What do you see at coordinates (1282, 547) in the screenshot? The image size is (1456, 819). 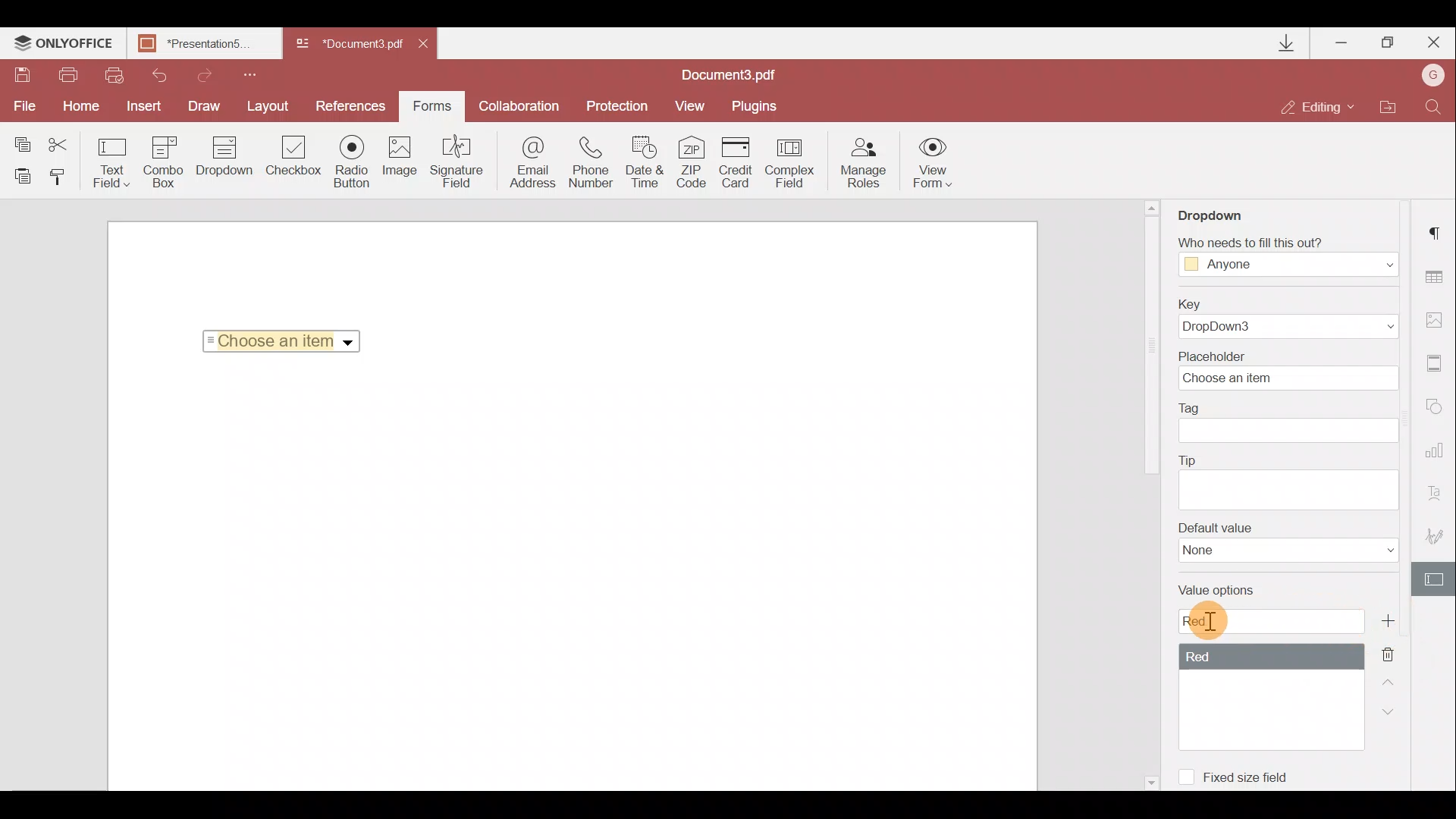 I see `Default value` at bounding box center [1282, 547].